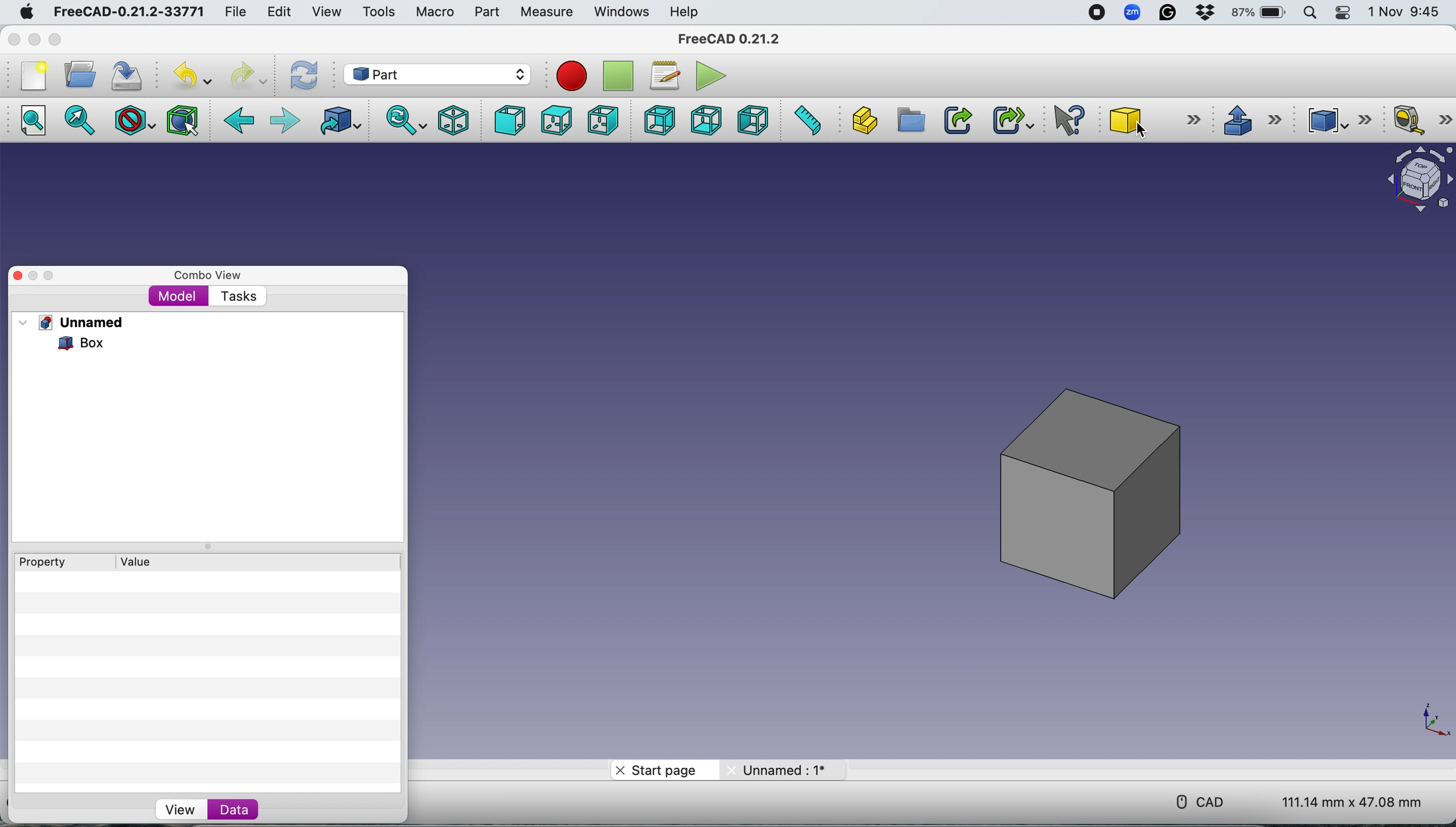 The image size is (1456, 827). Describe the element at coordinates (84, 322) in the screenshot. I see `Unnamed` at that location.